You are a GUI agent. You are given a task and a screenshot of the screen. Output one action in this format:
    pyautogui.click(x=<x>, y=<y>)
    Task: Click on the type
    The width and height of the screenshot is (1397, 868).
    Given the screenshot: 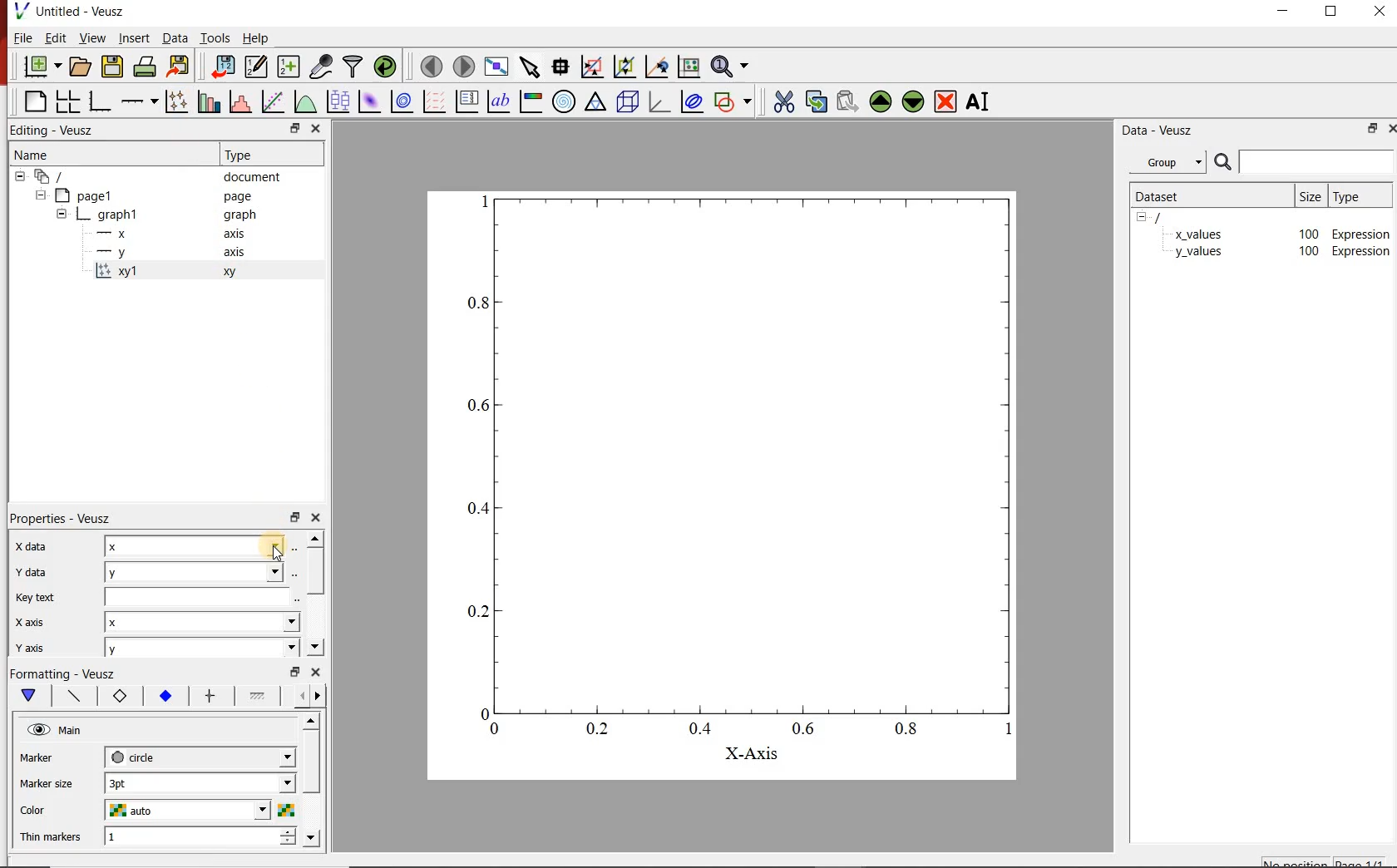 What is the action you would take?
    pyautogui.click(x=1358, y=197)
    